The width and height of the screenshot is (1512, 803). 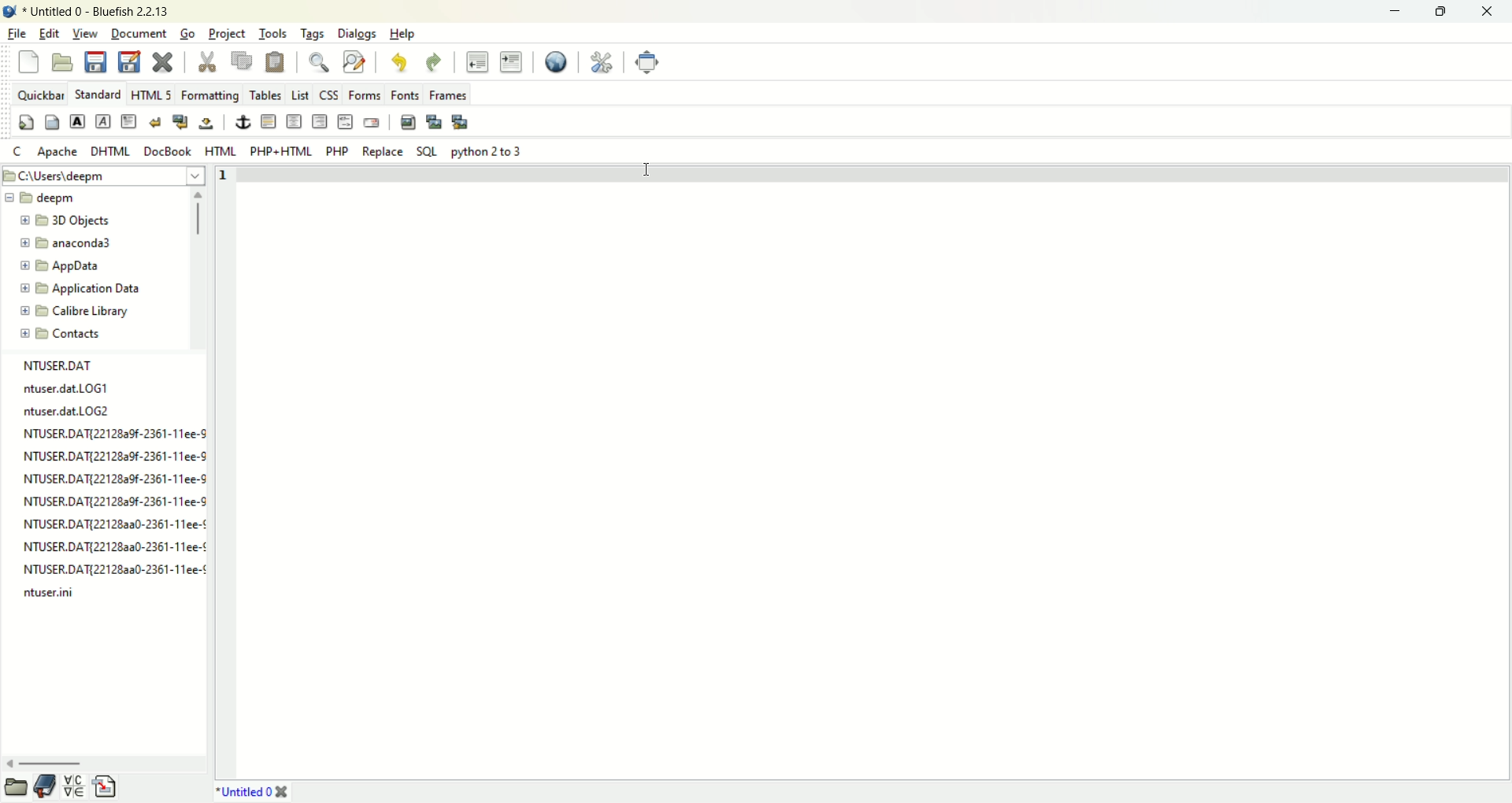 I want to click on snippets, so click(x=168, y=1251).